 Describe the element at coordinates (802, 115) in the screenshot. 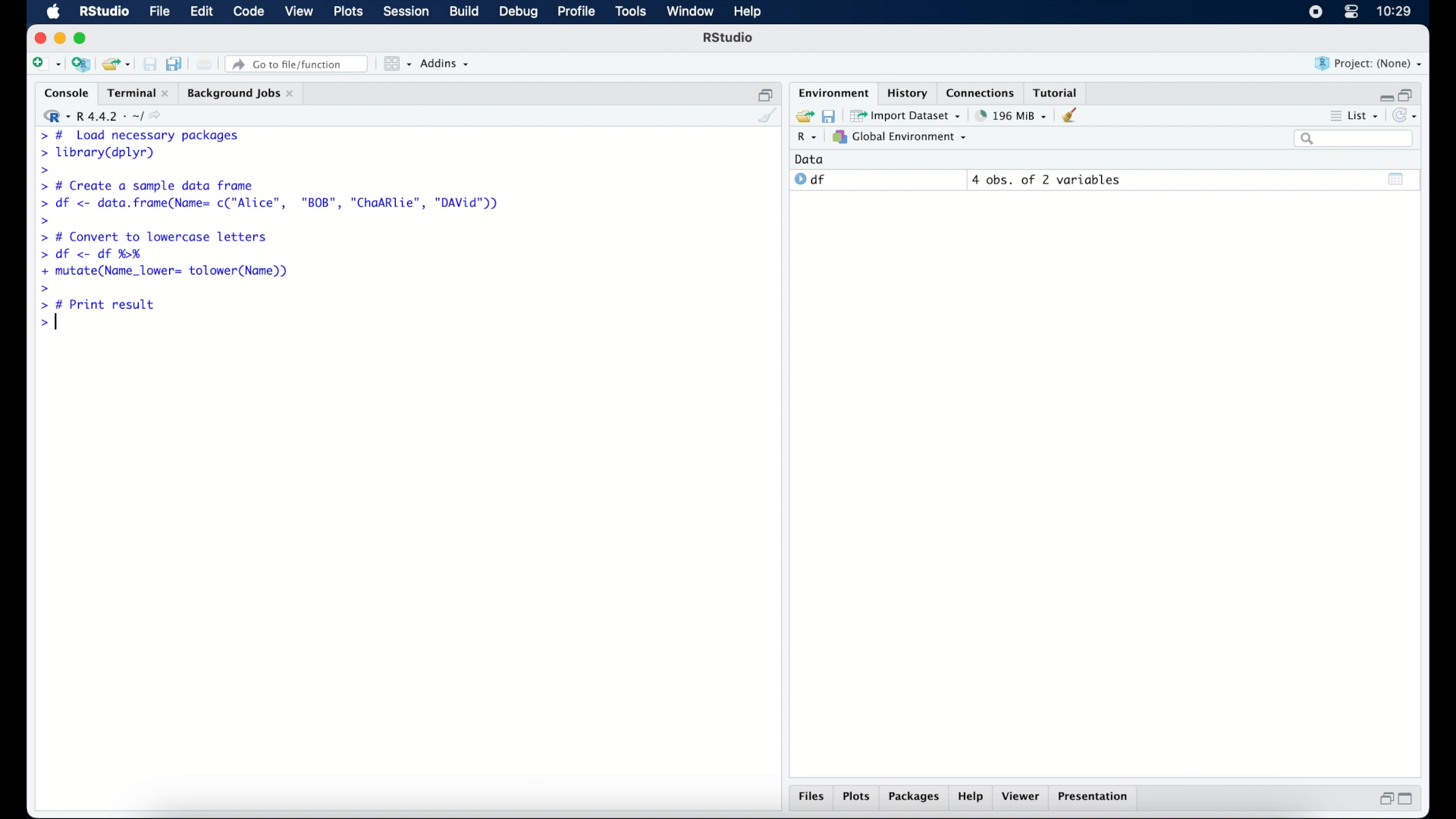

I see `load workspace` at that location.